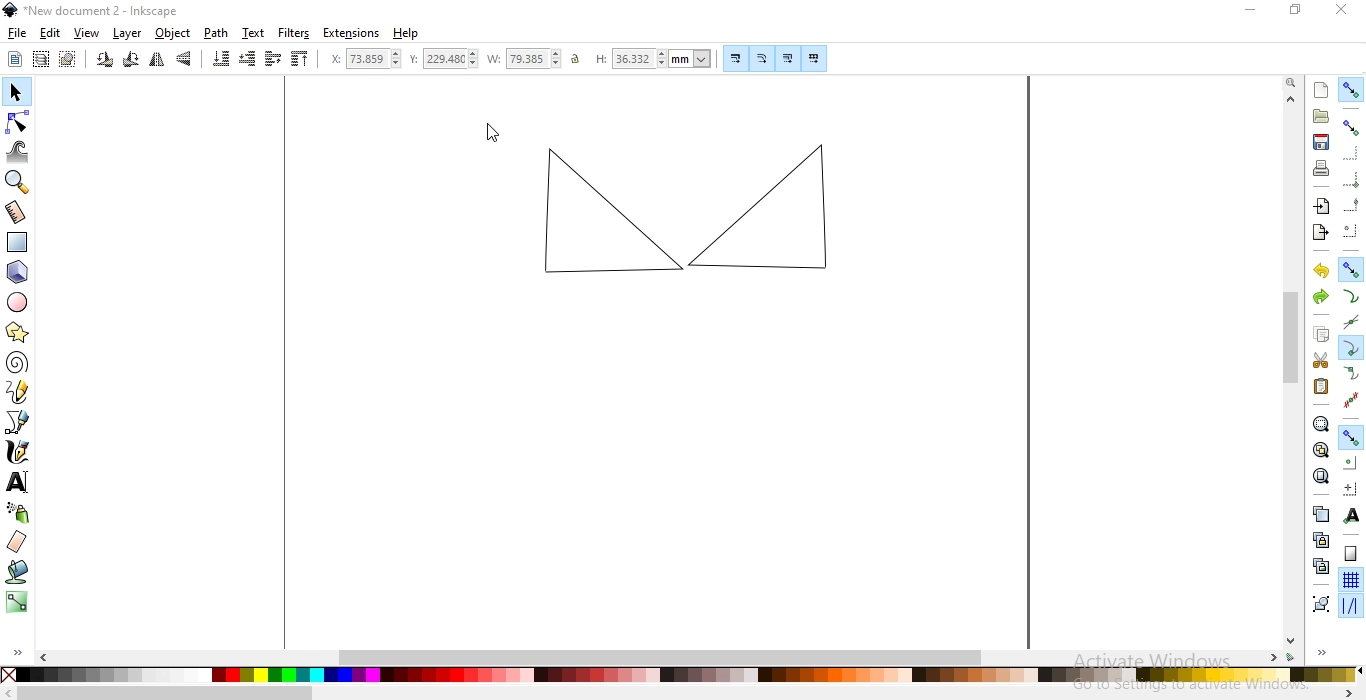 The width and height of the screenshot is (1366, 700). What do you see at coordinates (1322, 88) in the screenshot?
I see `create new document from default template` at bounding box center [1322, 88].